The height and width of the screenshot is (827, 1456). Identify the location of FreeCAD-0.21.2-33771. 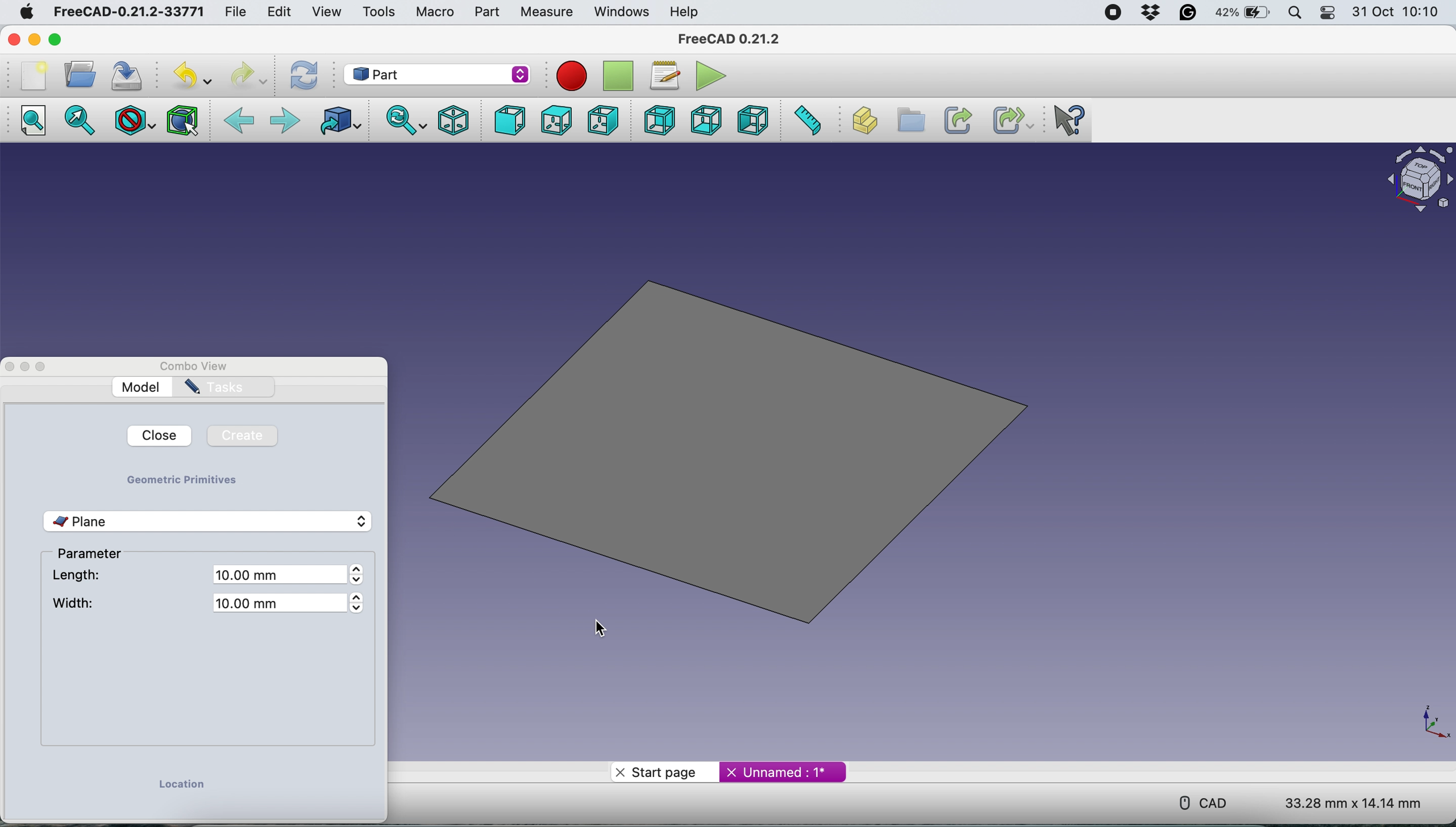
(128, 11).